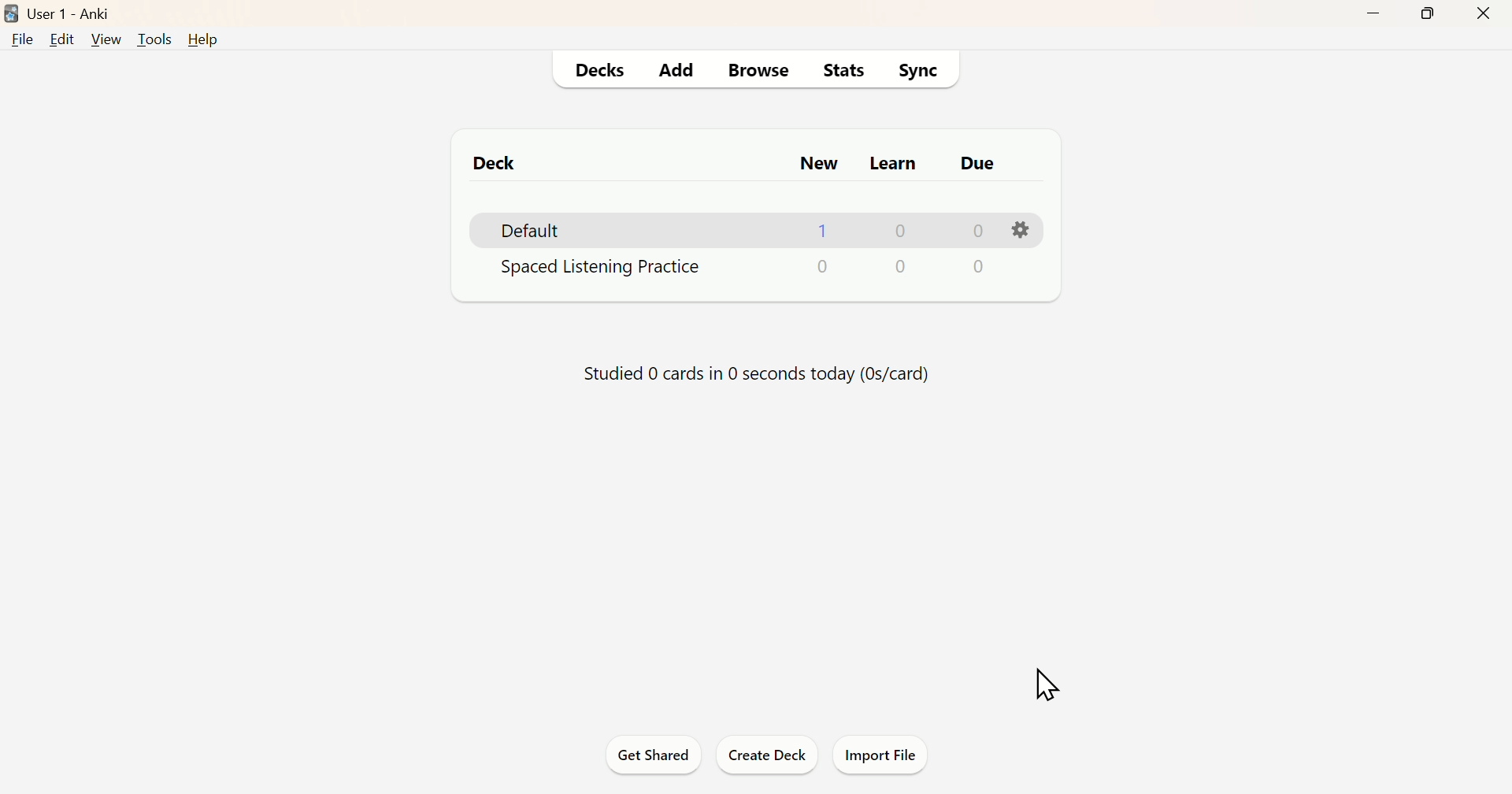  What do you see at coordinates (886, 755) in the screenshot?
I see `Import File` at bounding box center [886, 755].